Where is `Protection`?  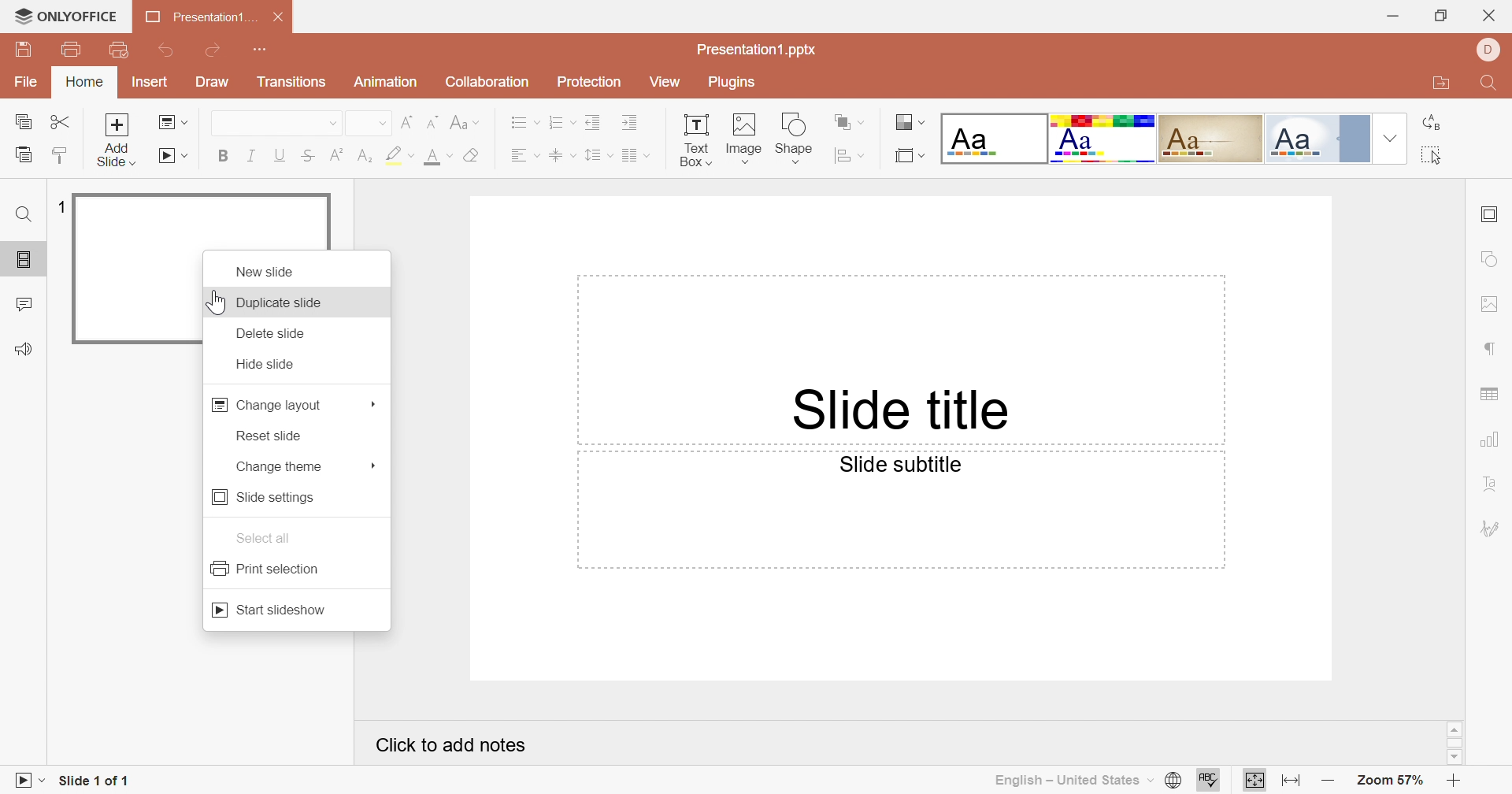 Protection is located at coordinates (590, 83).